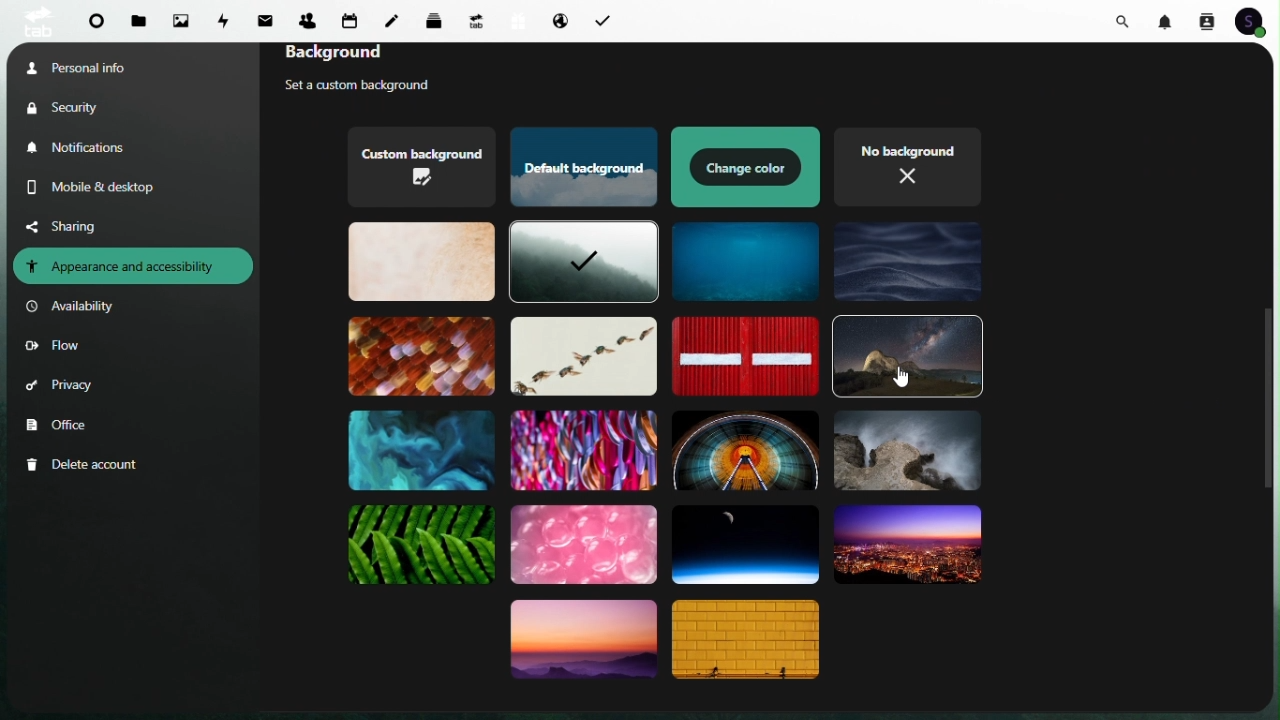 The height and width of the screenshot is (720, 1280). Describe the element at coordinates (905, 545) in the screenshot. I see `Themes` at that location.